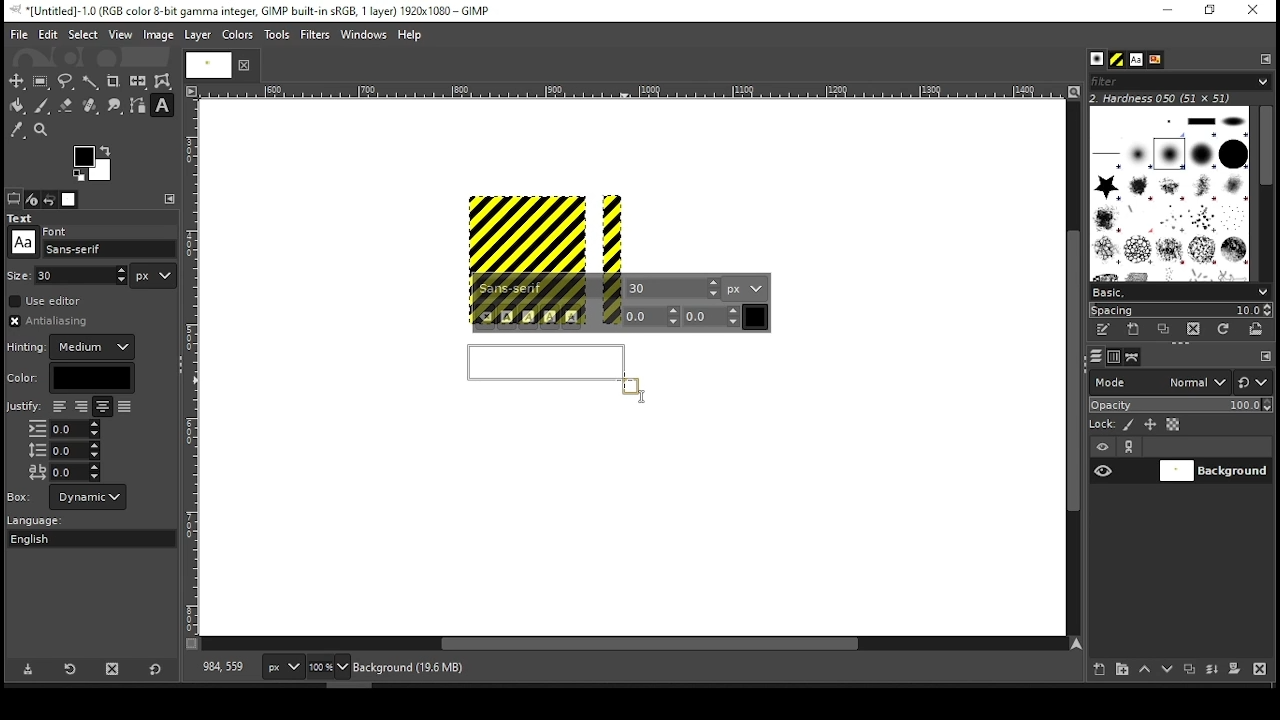  What do you see at coordinates (634, 645) in the screenshot?
I see `scroll bar` at bounding box center [634, 645].